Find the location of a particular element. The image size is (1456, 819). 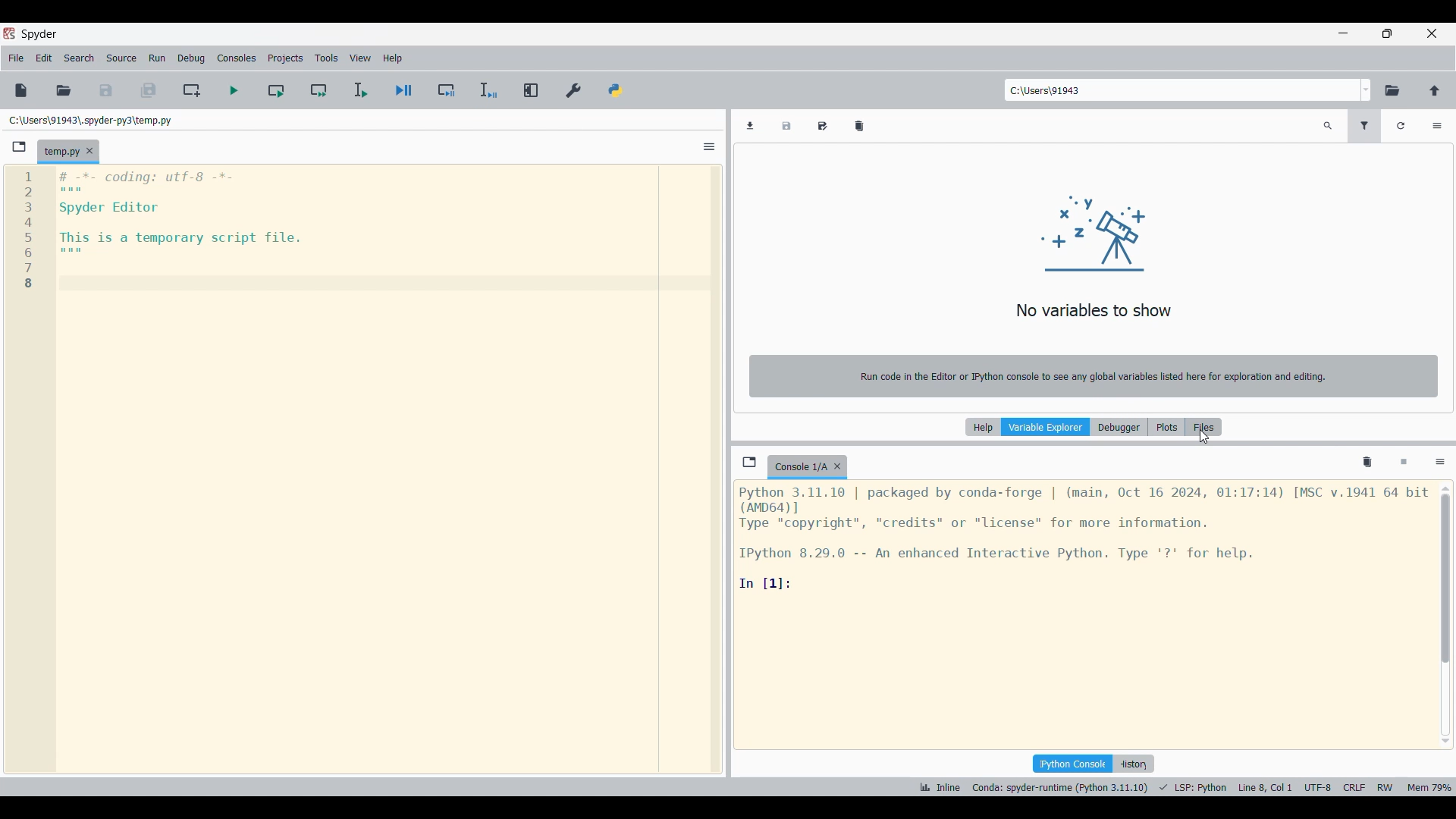

File menu is located at coordinates (16, 58).